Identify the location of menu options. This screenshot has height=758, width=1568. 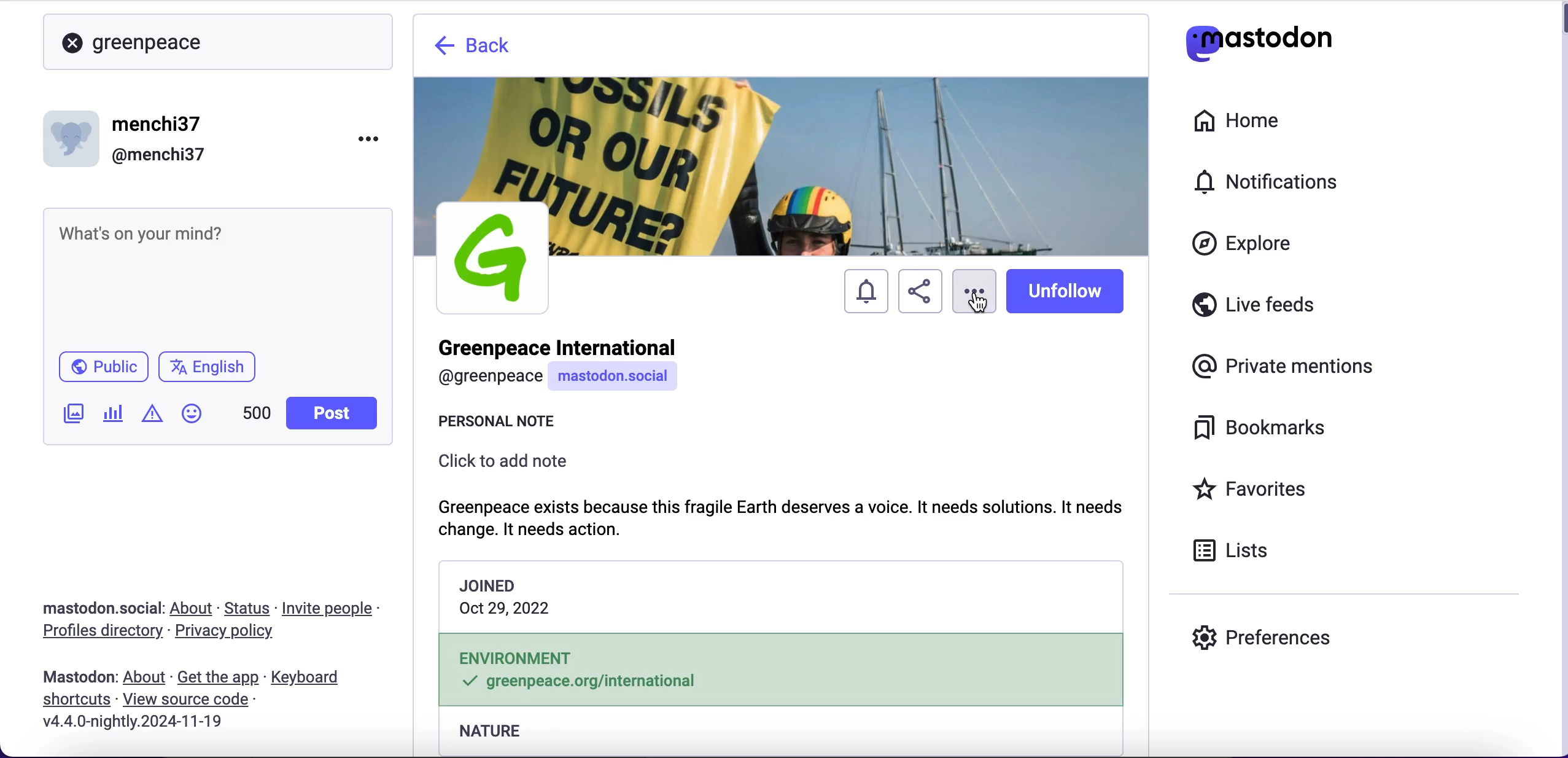
(373, 138).